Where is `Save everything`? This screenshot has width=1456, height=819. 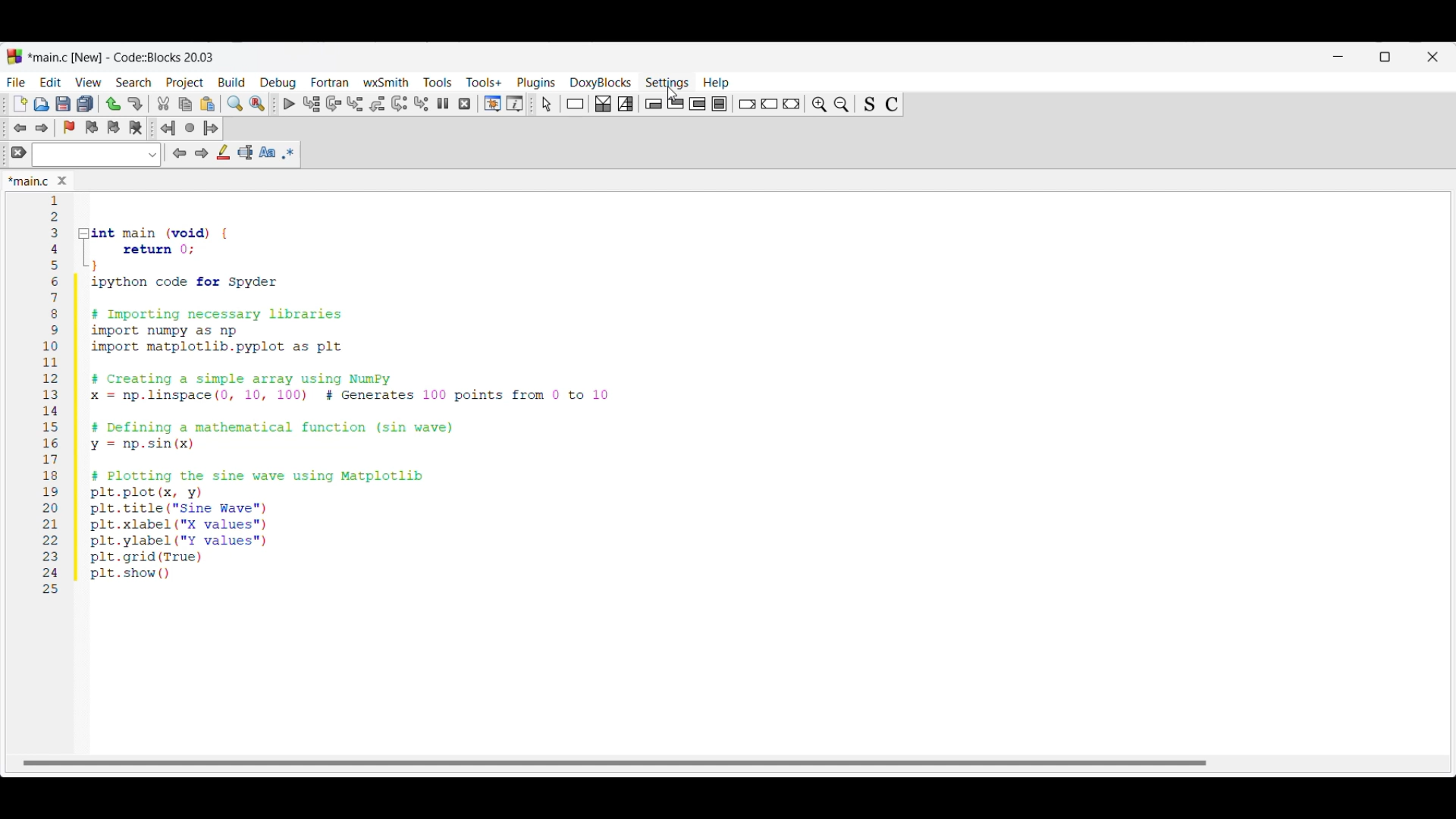
Save everything is located at coordinates (85, 103).